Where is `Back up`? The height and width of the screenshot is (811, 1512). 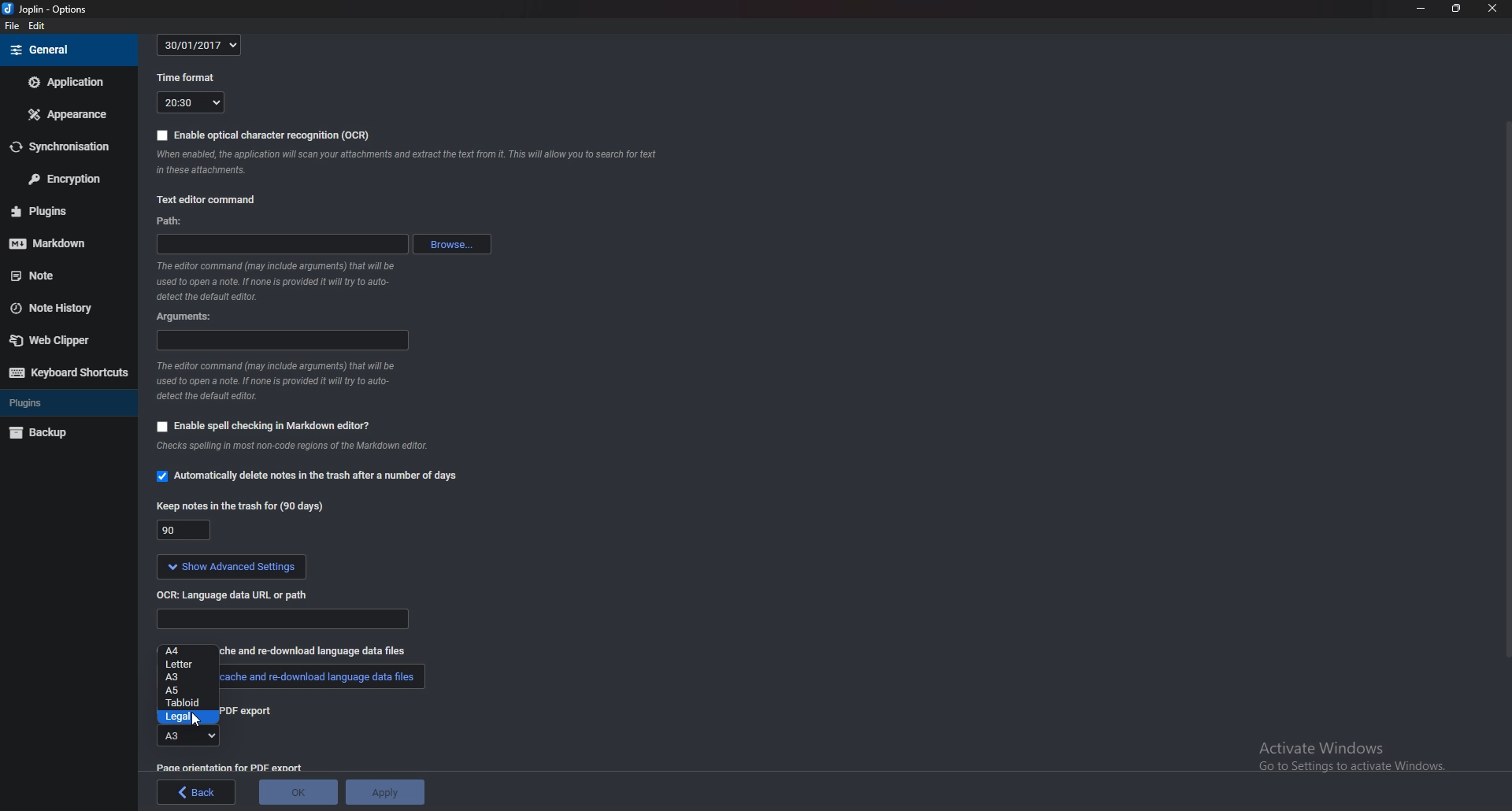 Back up is located at coordinates (69, 434).